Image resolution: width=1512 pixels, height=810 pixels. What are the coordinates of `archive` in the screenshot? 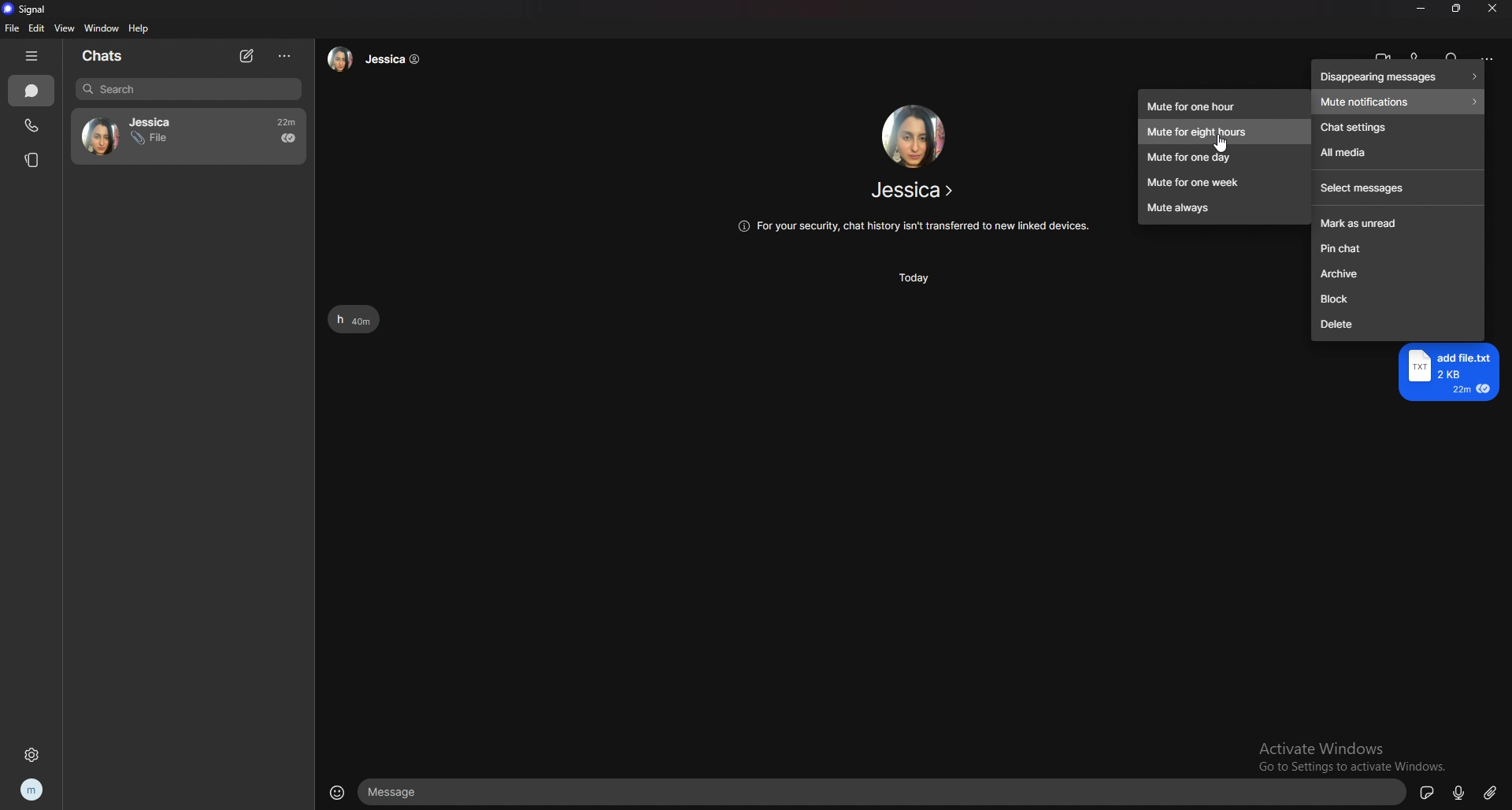 It's located at (1398, 275).